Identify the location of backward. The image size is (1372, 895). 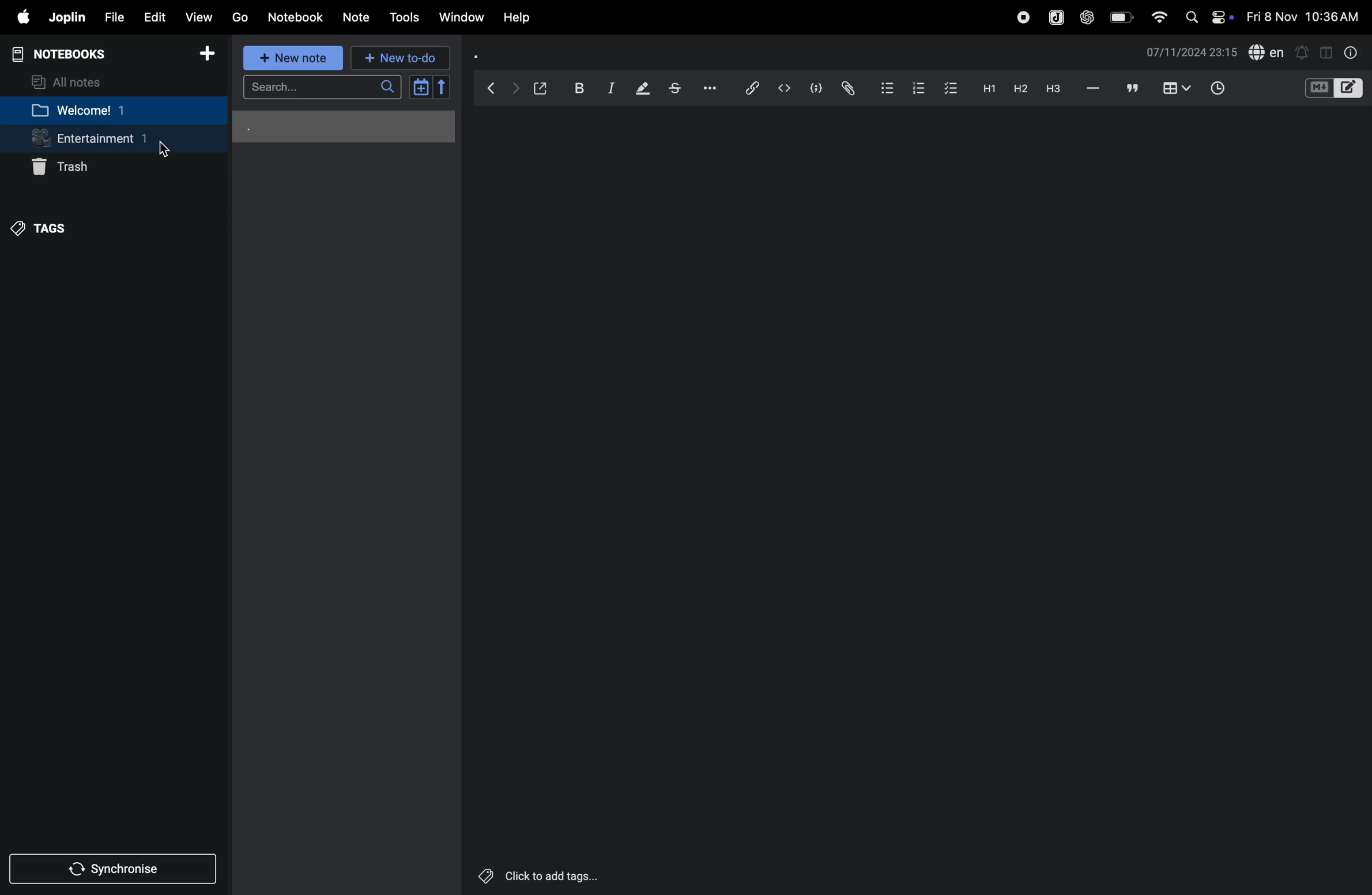
(490, 92).